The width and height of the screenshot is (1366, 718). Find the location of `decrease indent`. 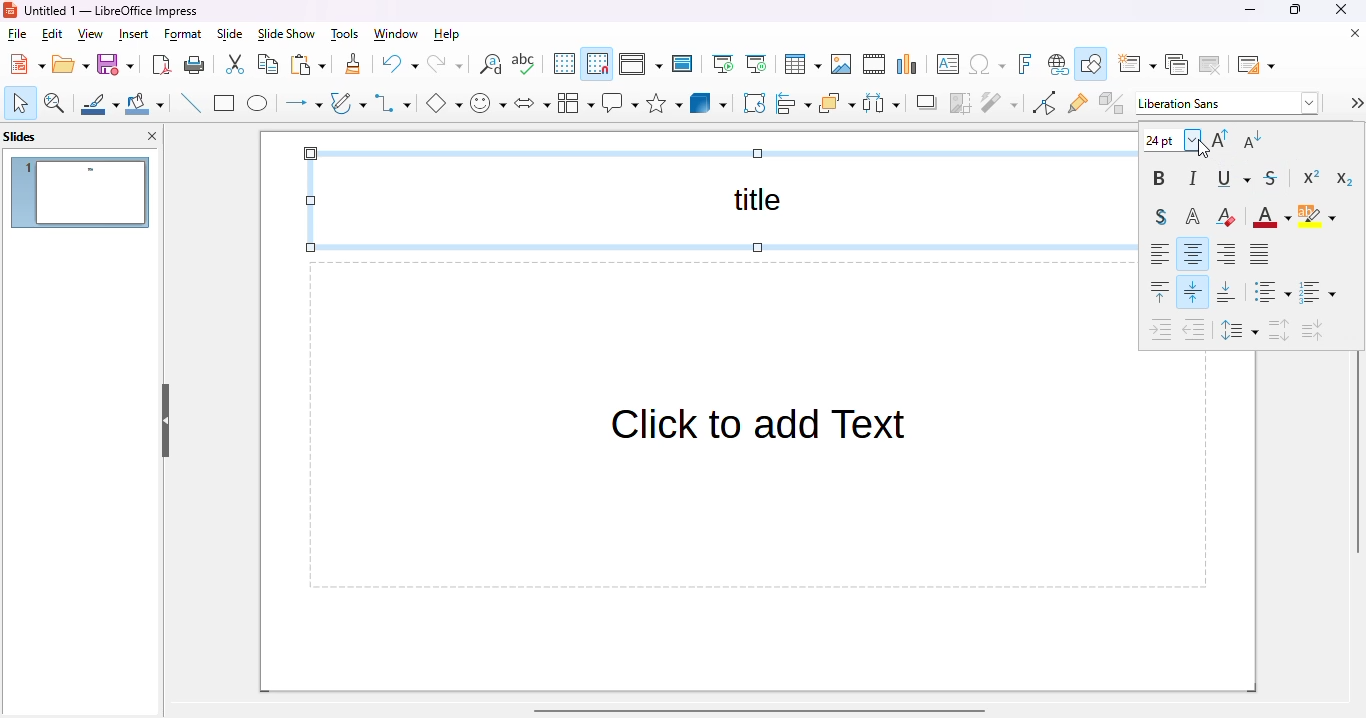

decrease indent is located at coordinates (1194, 331).